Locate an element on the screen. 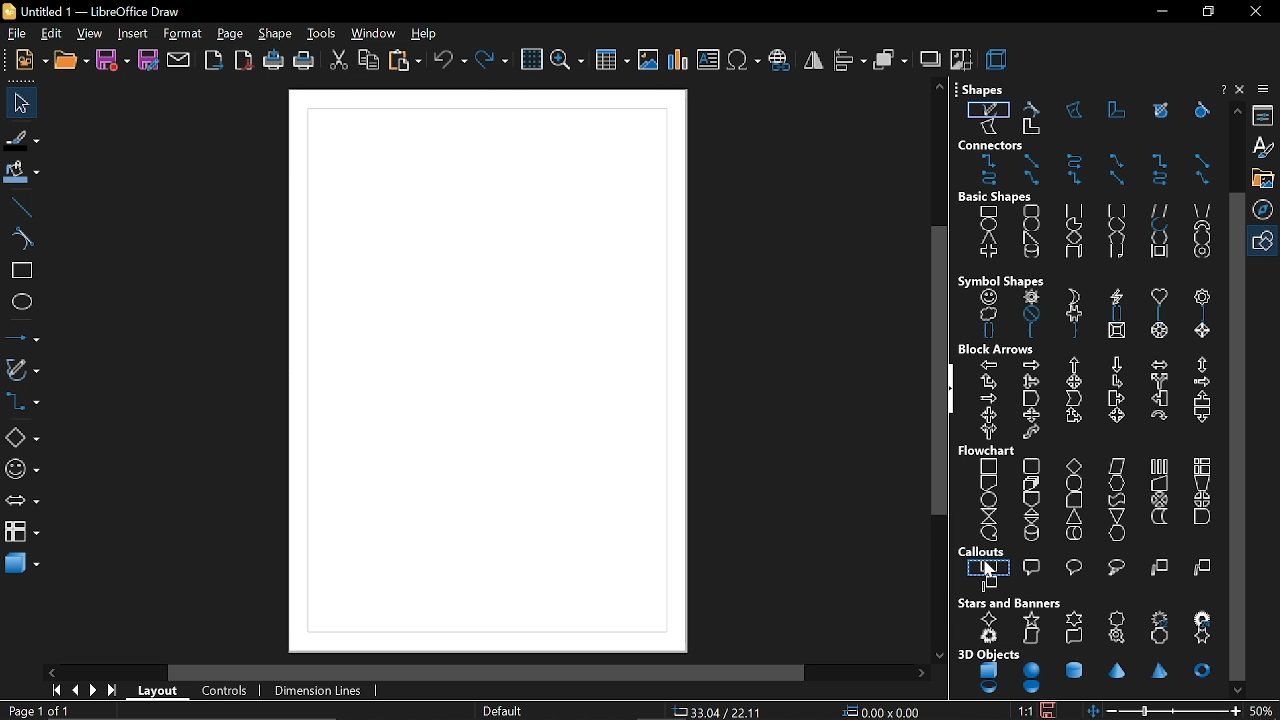 This screenshot has height=720, width=1280. right brace is located at coordinates (1074, 335).